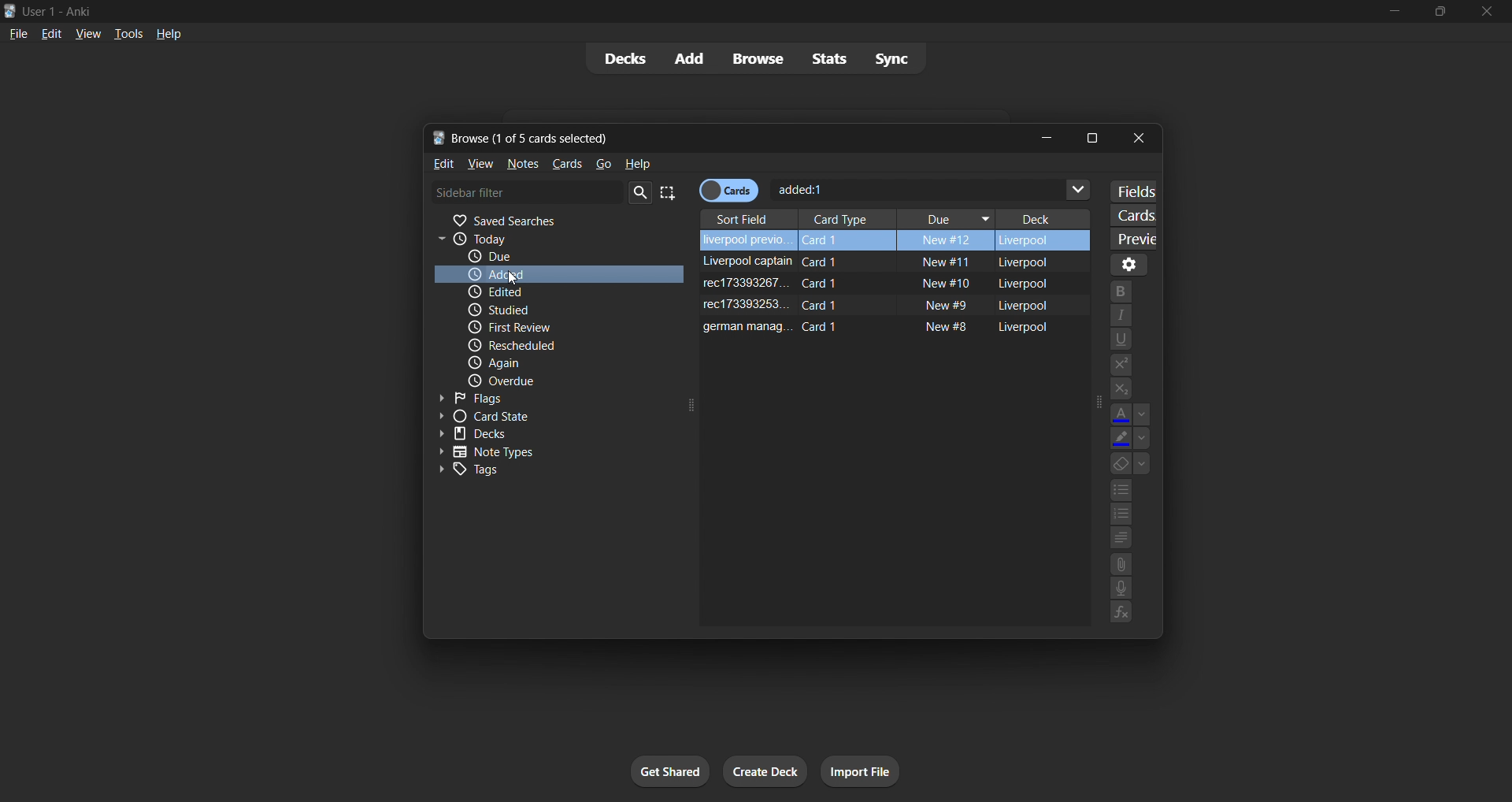  Describe the element at coordinates (765, 770) in the screenshot. I see `create deck` at that location.